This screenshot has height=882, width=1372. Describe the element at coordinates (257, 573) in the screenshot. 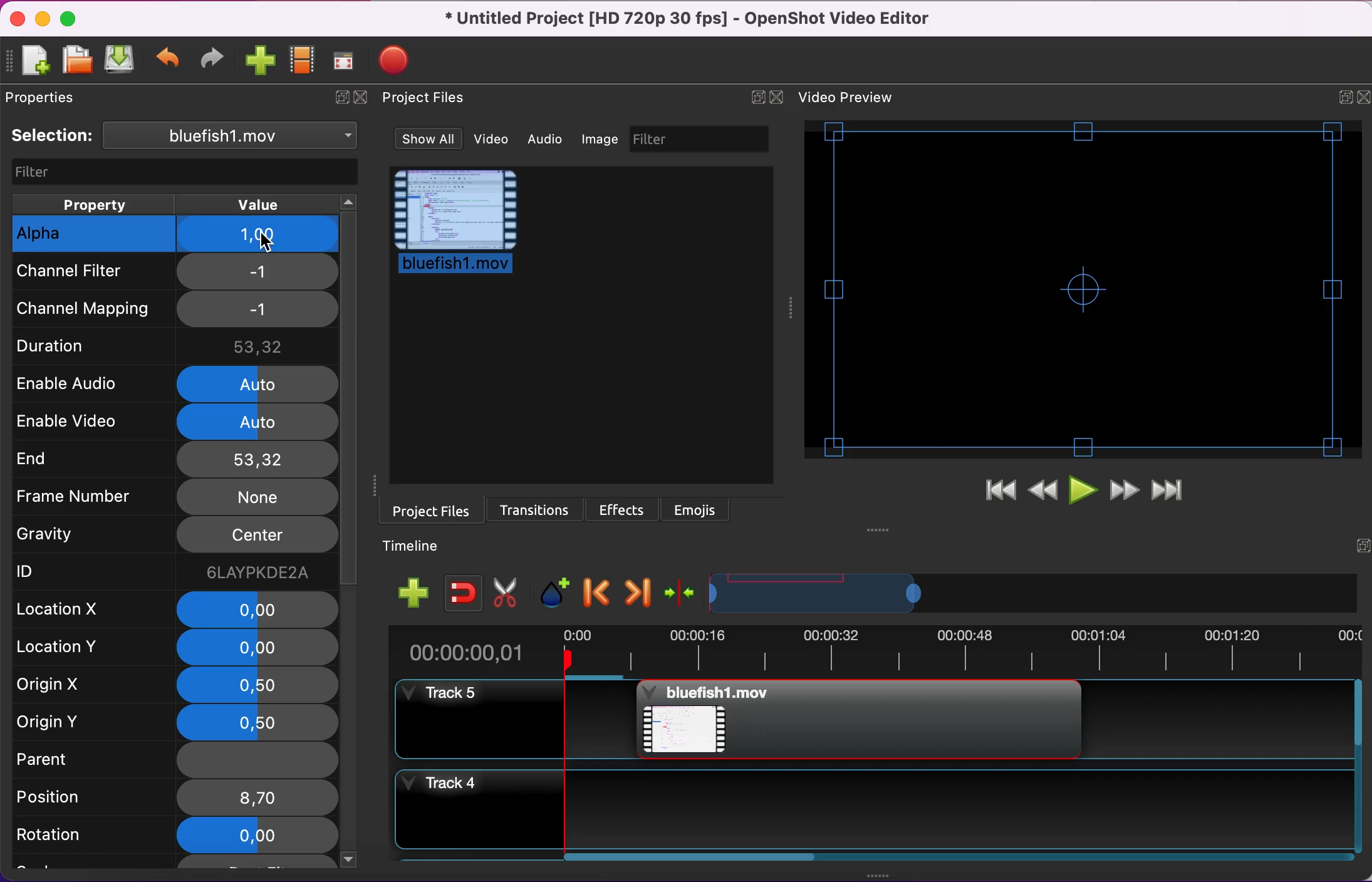

I see `6laypkde2a` at that location.